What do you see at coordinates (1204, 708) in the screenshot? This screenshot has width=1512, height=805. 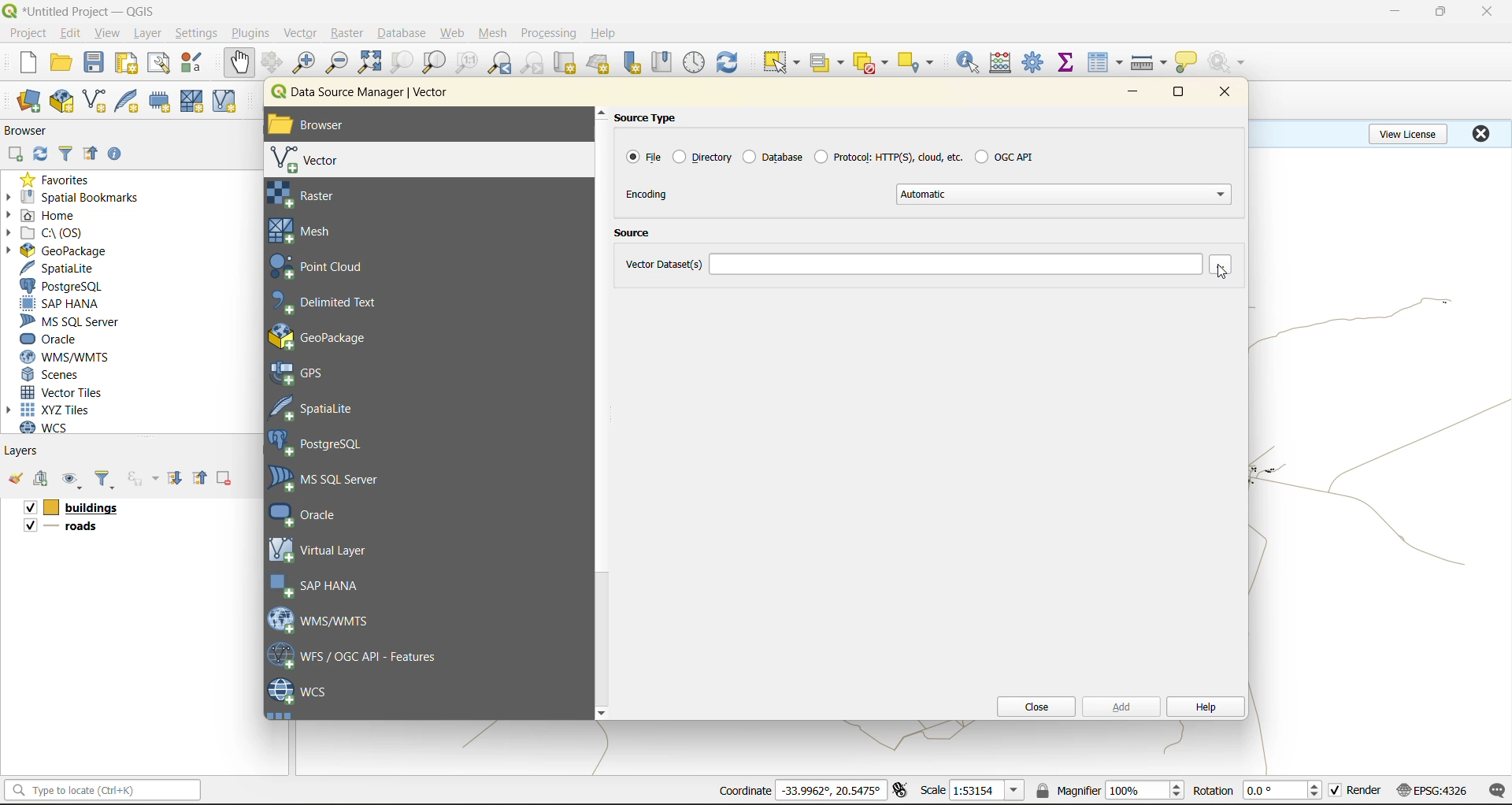 I see `help` at bounding box center [1204, 708].